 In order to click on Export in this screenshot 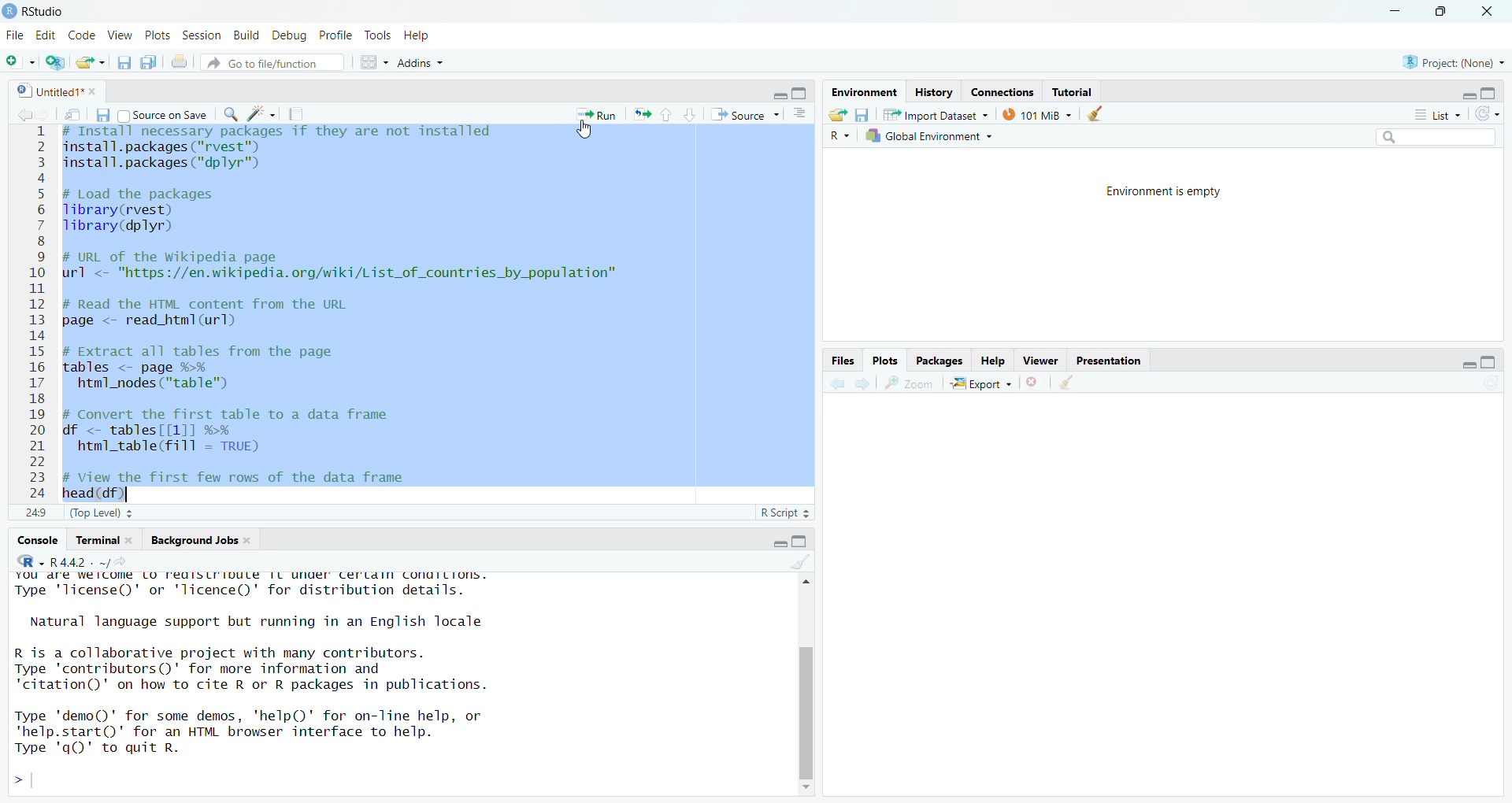, I will do `click(982, 383)`.